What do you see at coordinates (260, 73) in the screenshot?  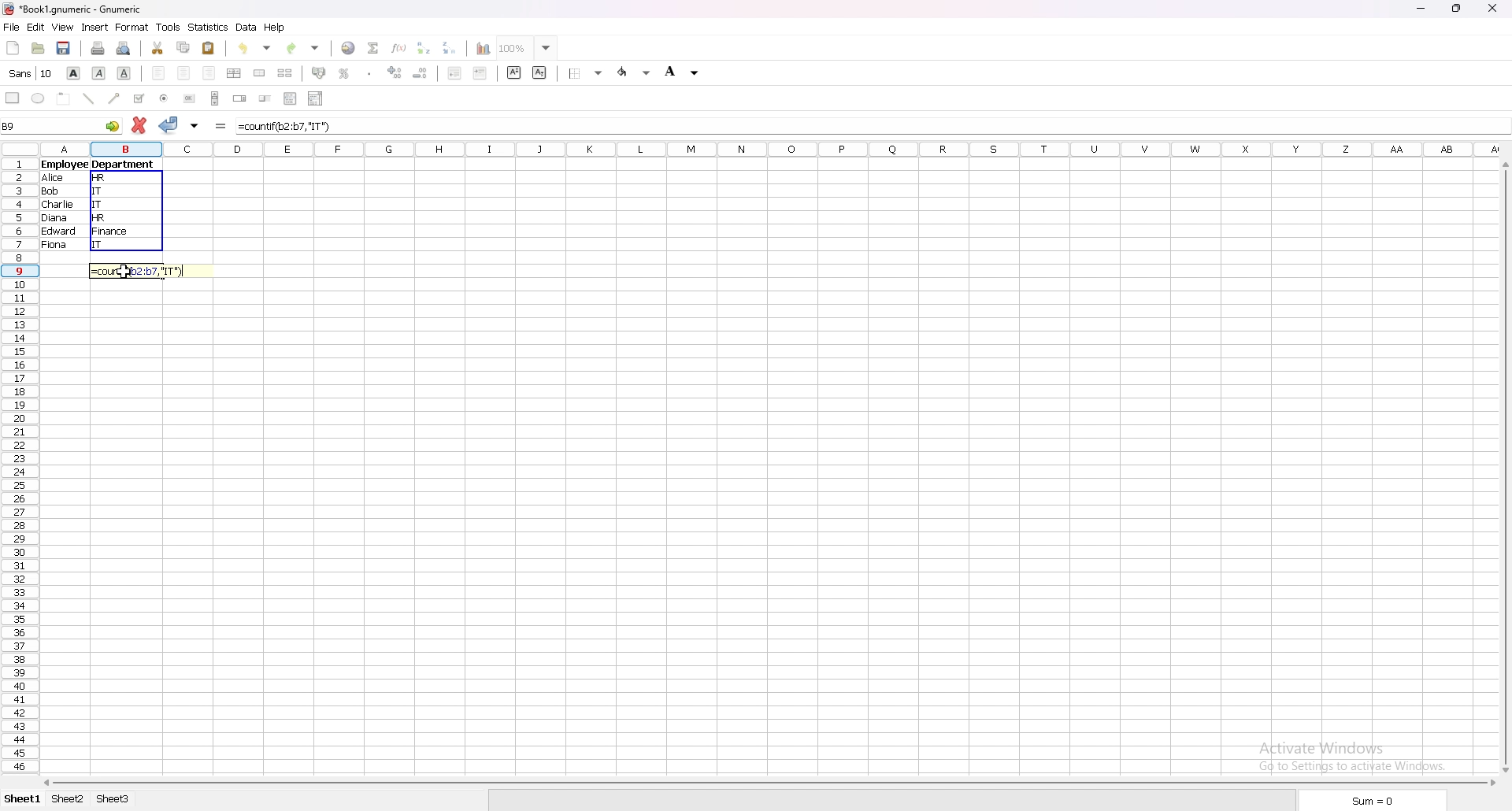 I see `merge cells` at bounding box center [260, 73].